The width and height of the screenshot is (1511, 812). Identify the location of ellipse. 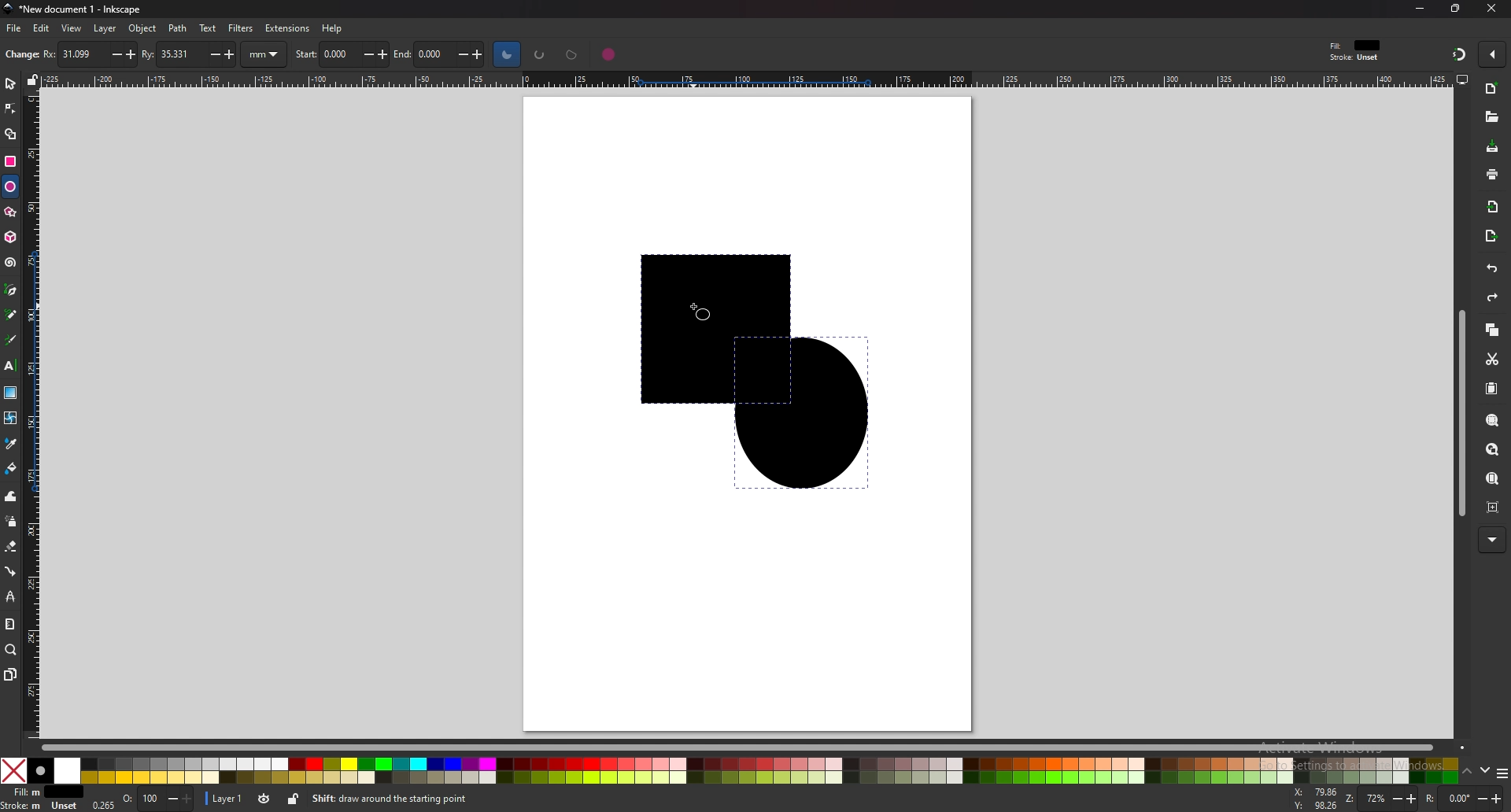
(10, 186).